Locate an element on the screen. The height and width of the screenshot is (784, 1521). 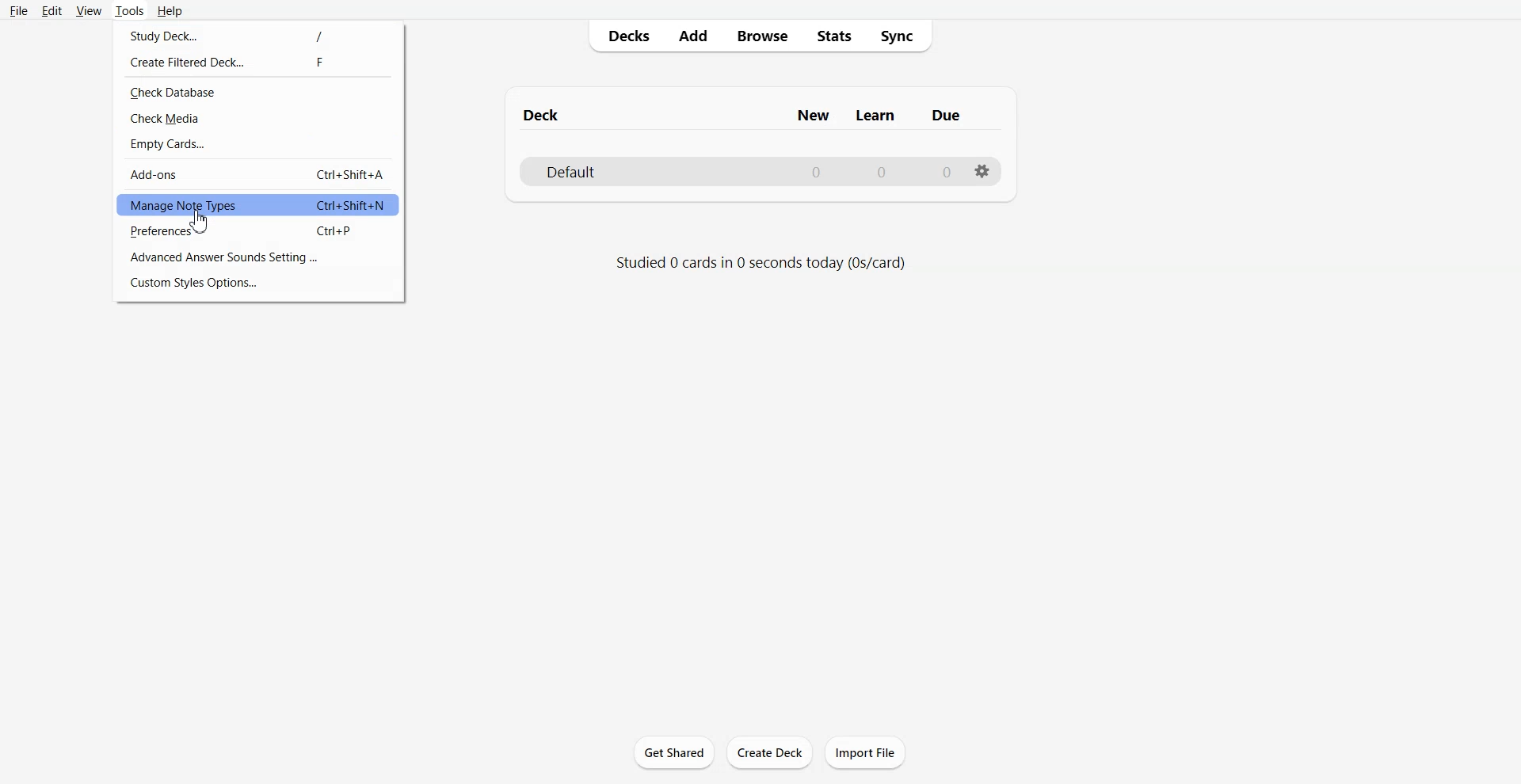
Import File is located at coordinates (865, 752).